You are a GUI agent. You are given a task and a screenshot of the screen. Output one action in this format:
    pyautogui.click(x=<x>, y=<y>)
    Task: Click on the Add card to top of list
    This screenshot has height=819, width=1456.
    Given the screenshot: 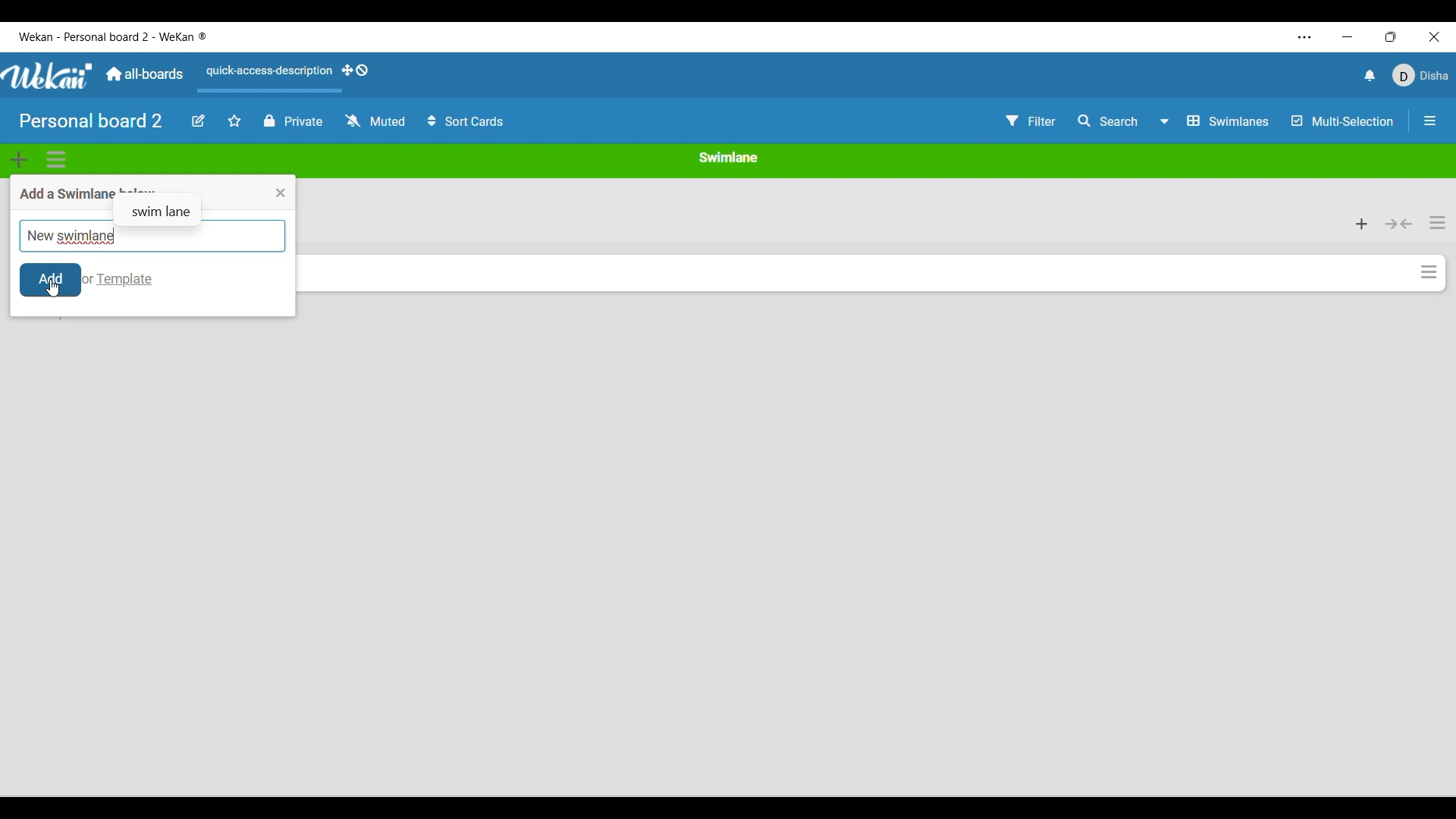 What is the action you would take?
    pyautogui.click(x=1363, y=224)
    